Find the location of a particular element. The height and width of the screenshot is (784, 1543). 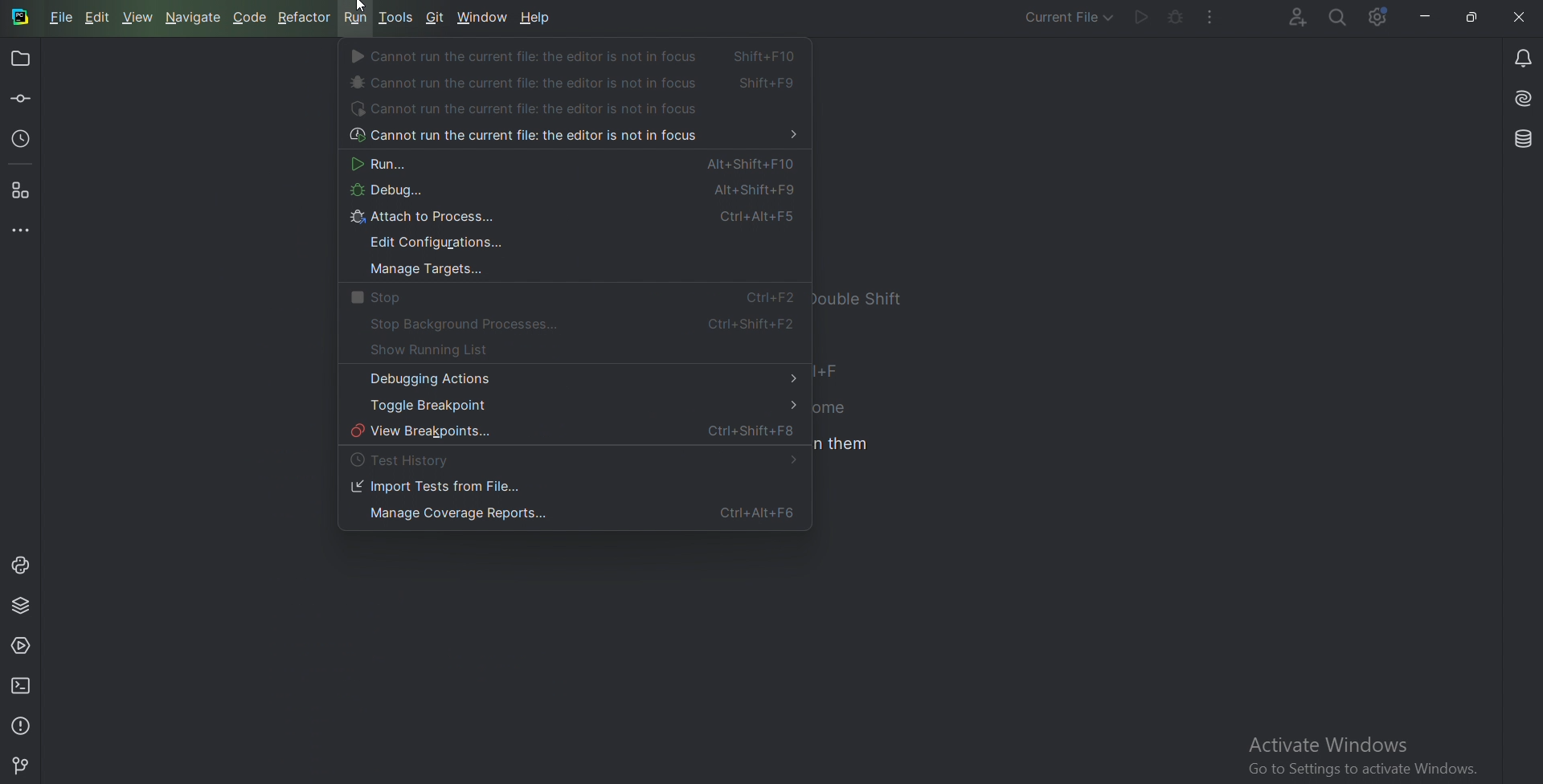

Pycharm is located at coordinates (21, 18).